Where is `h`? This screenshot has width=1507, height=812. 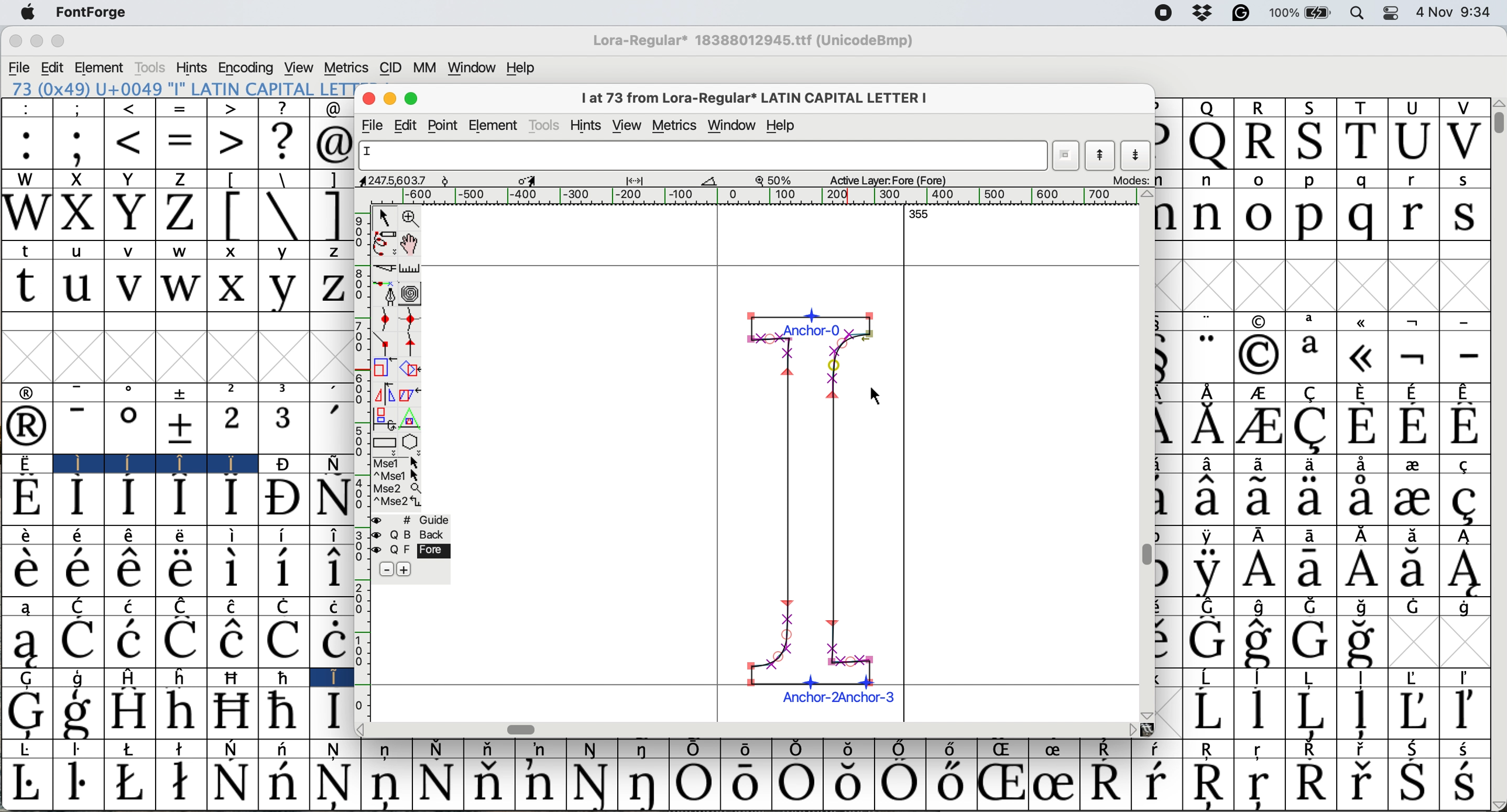 h is located at coordinates (184, 677).